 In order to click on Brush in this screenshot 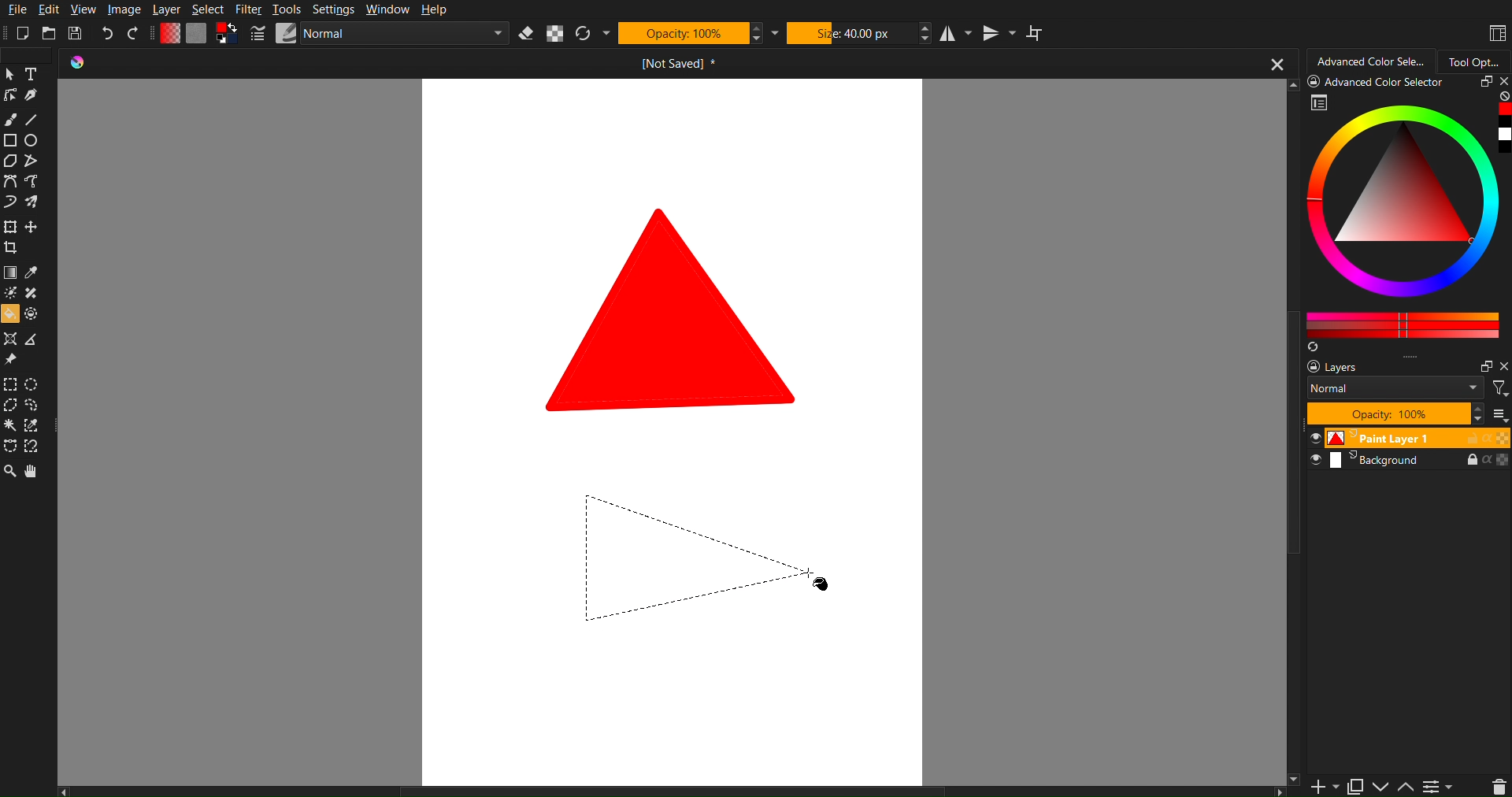, I will do `click(13, 117)`.